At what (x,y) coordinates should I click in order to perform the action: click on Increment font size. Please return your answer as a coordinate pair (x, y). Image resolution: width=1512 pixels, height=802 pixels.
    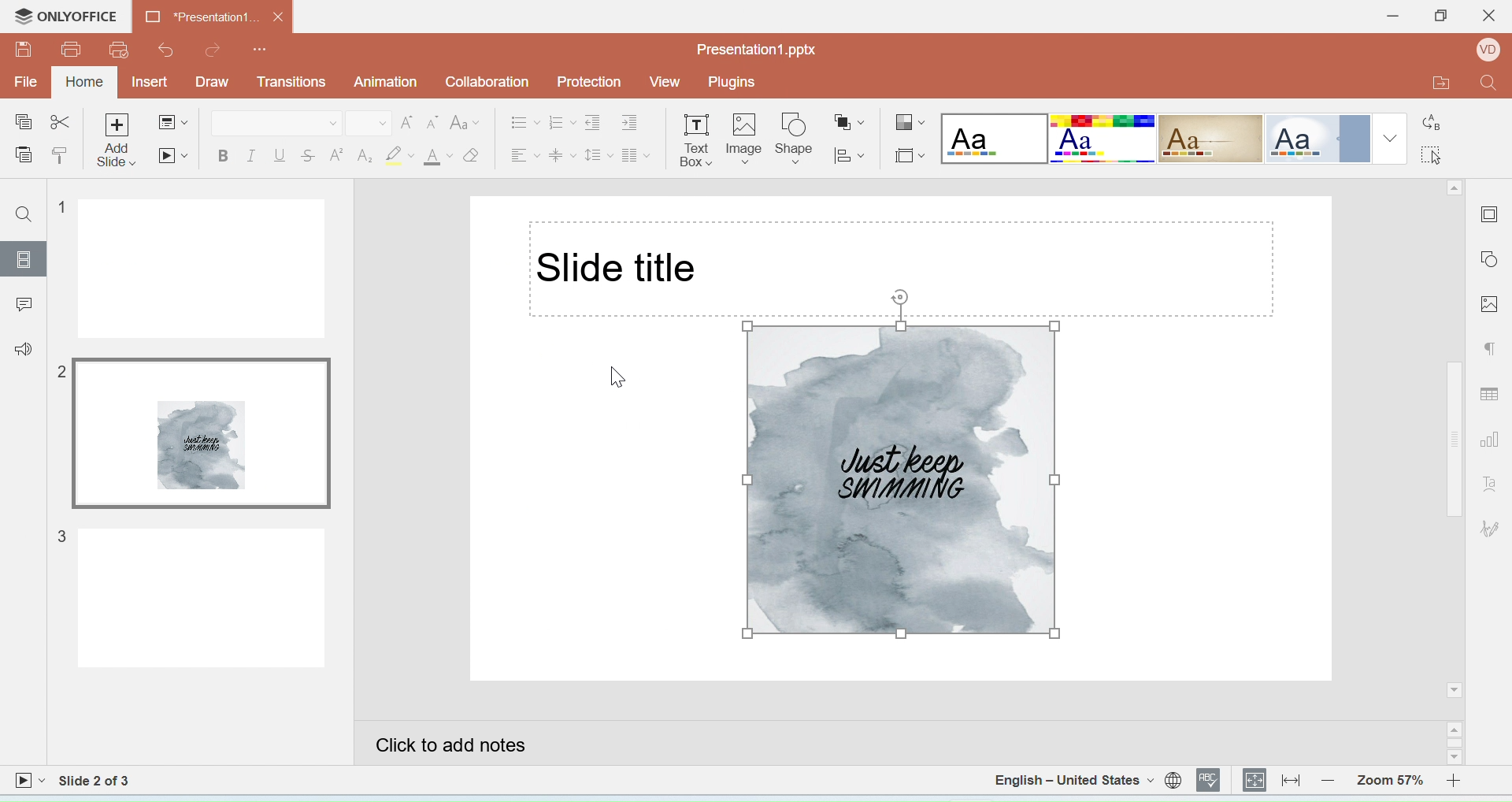
    Looking at the image, I should click on (406, 123).